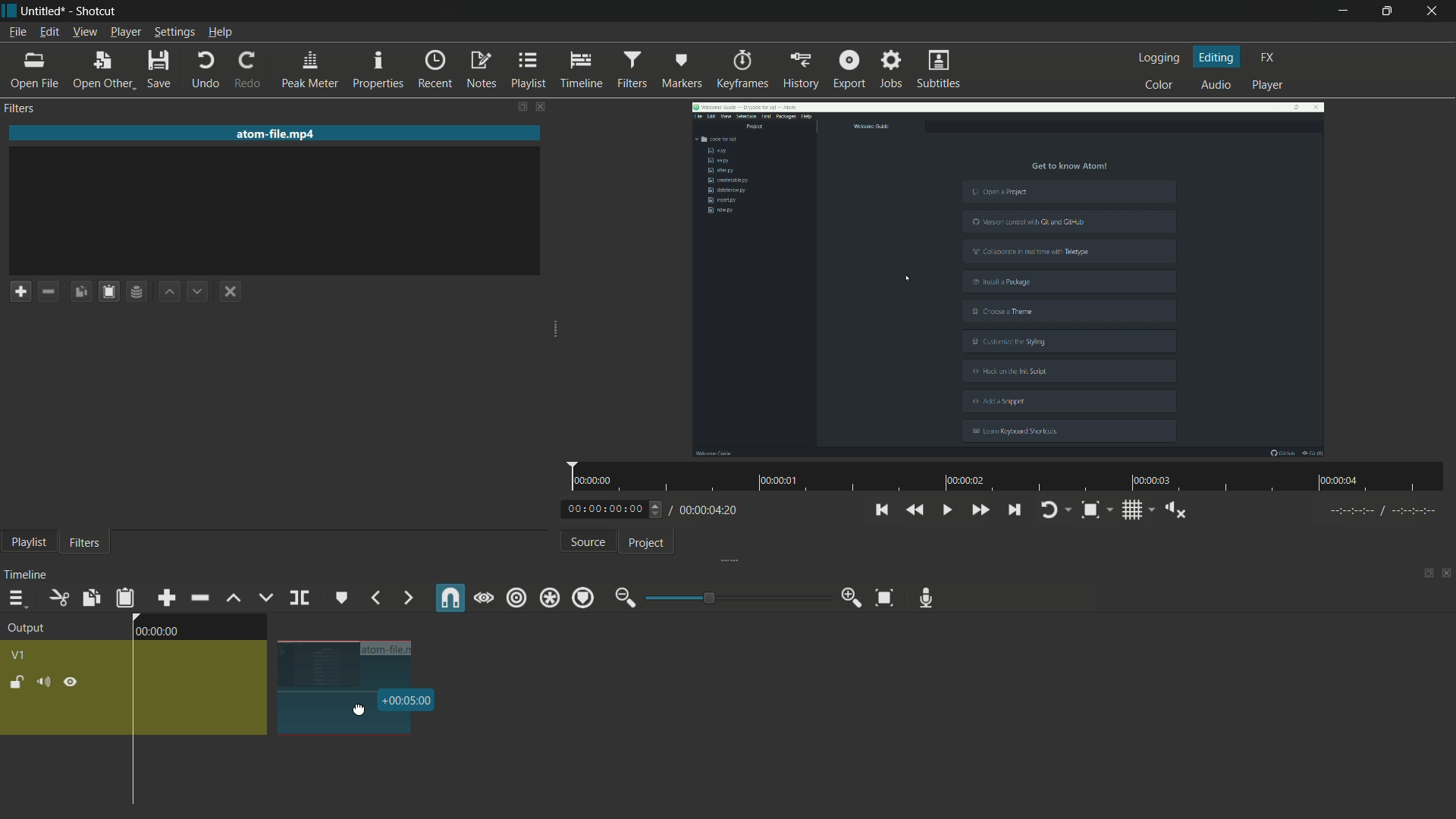  I want to click on timeline, so click(581, 68).